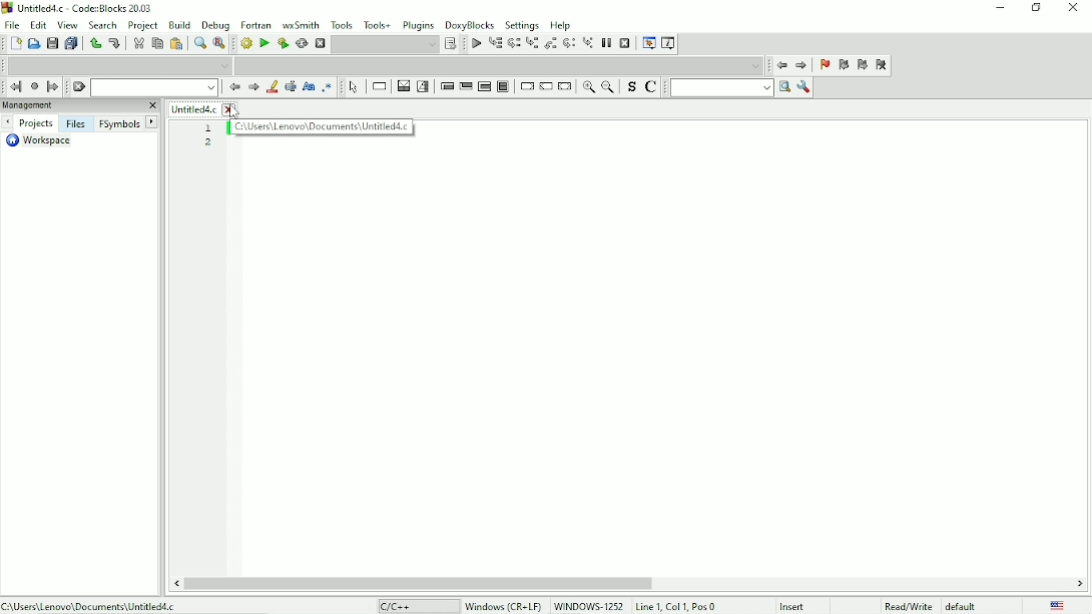 This screenshot has height=614, width=1092. Describe the element at coordinates (391, 605) in the screenshot. I see `C/C++` at that location.